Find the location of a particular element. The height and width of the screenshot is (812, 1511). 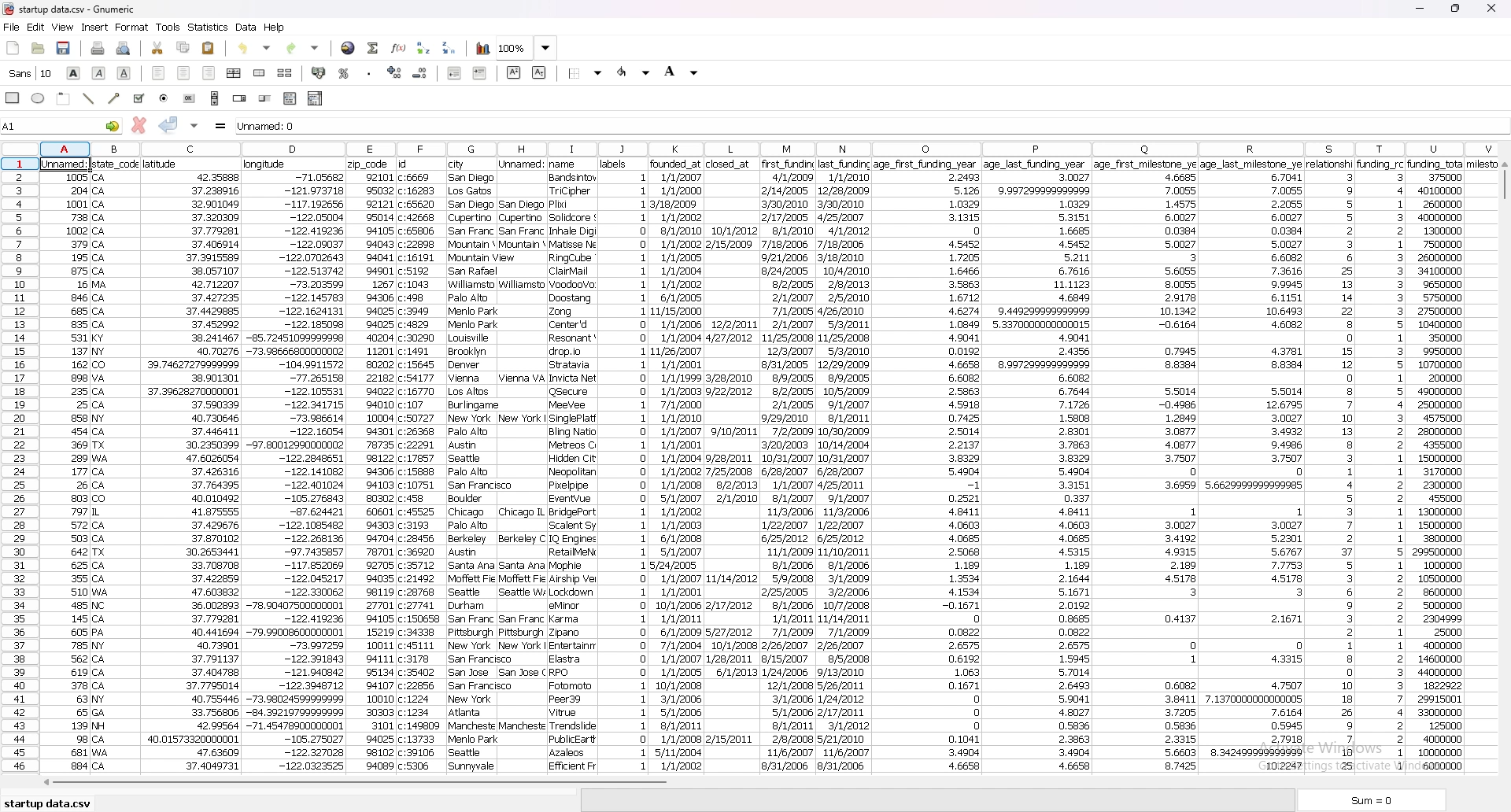

minimize is located at coordinates (1420, 8).